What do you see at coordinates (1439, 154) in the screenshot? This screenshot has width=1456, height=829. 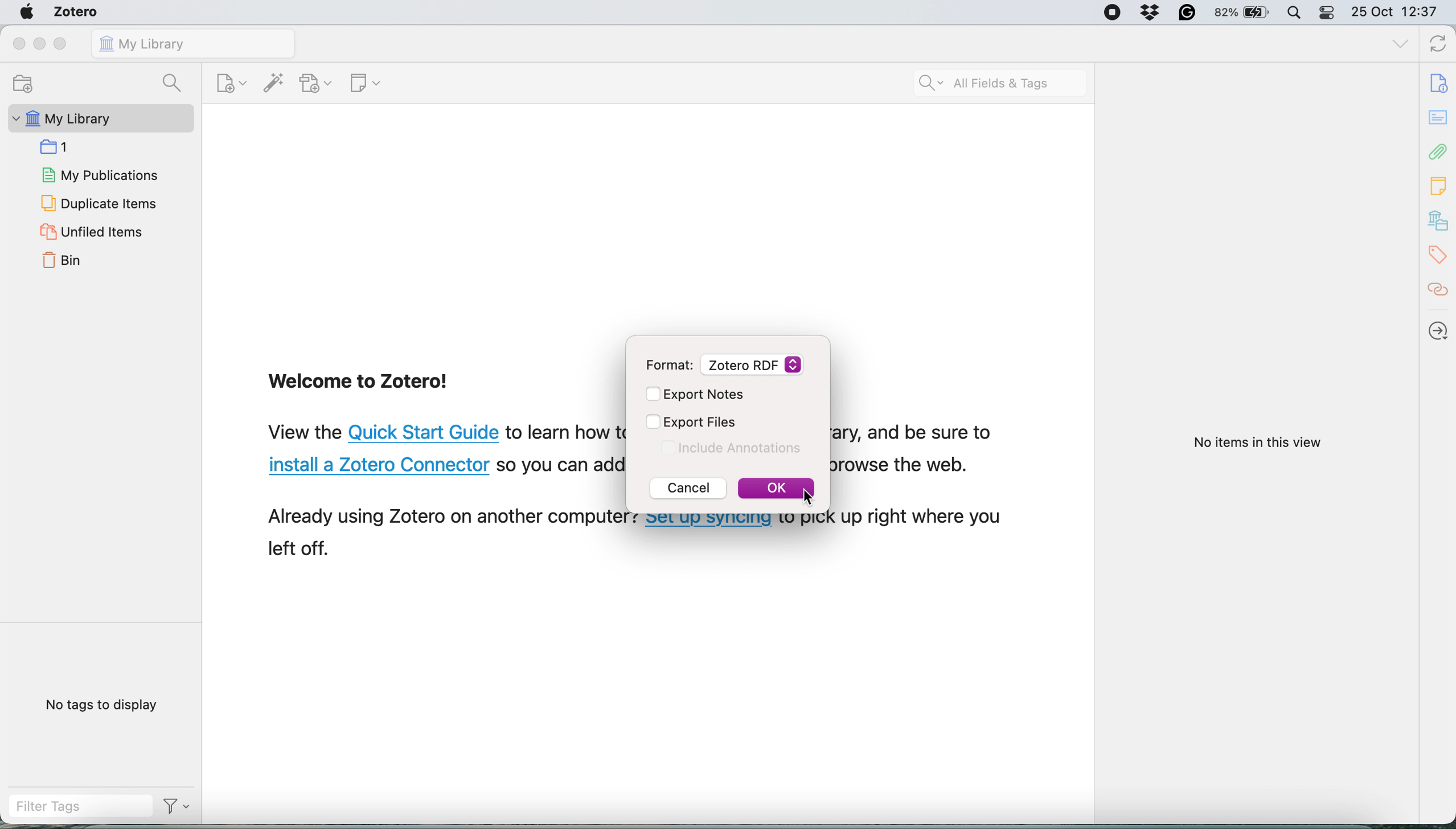 I see `attachements` at bounding box center [1439, 154].